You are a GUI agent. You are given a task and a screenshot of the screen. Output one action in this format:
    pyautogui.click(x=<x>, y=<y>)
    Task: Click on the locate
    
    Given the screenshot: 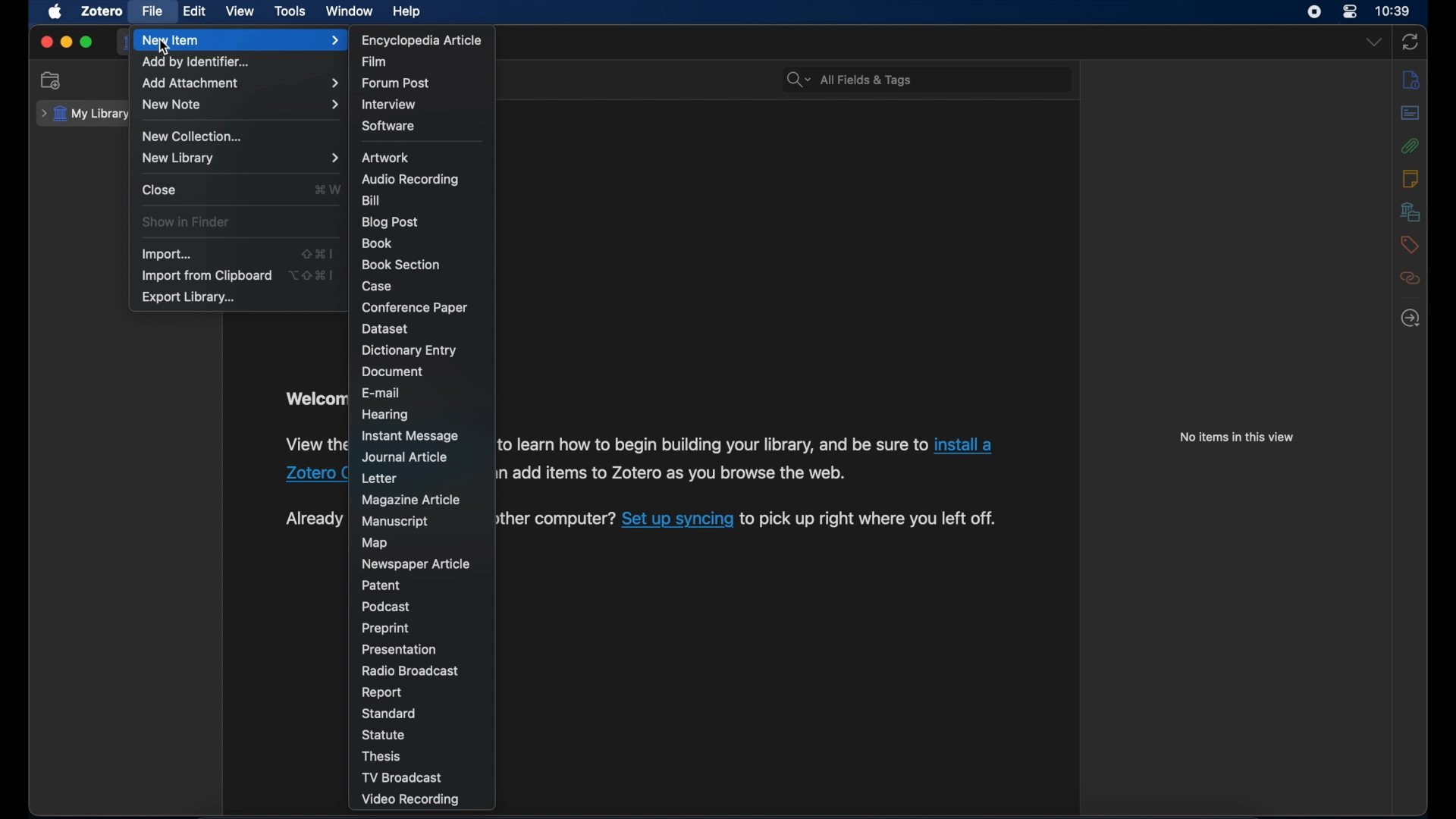 What is the action you would take?
    pyautogui.click(x=1410, y=319)
    